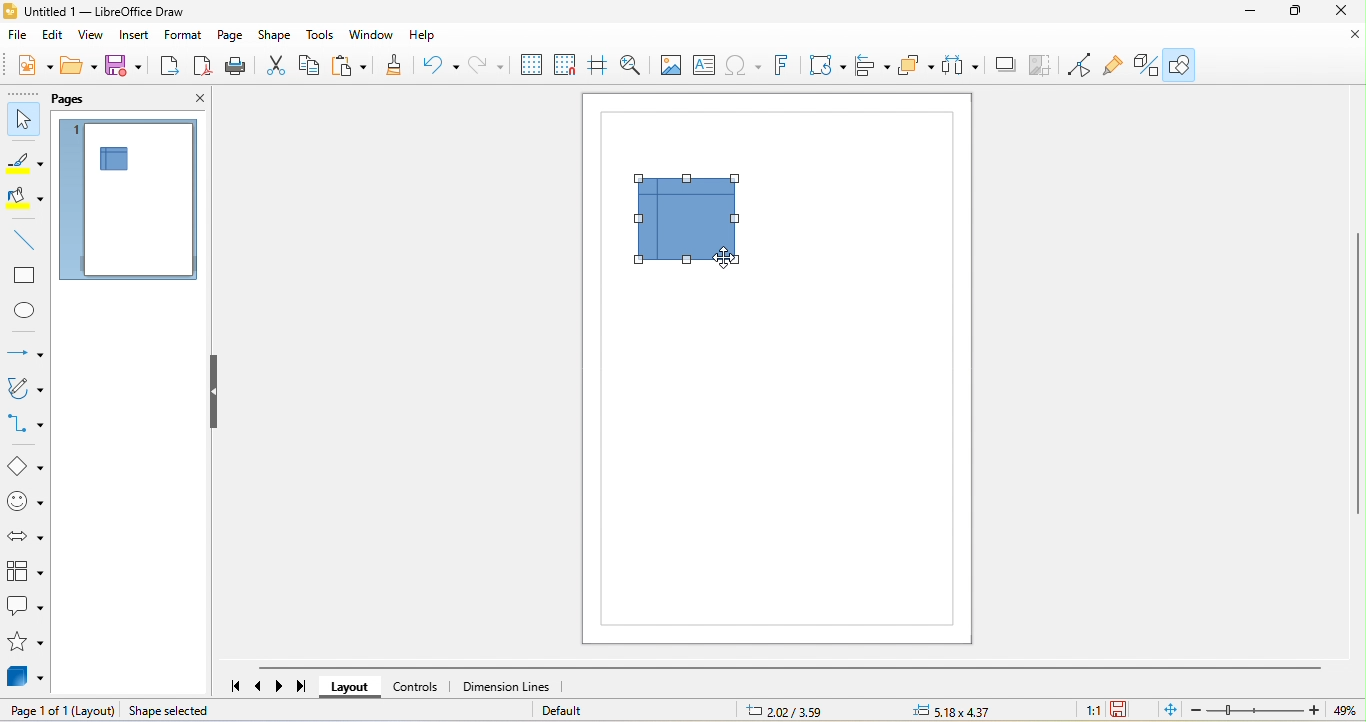  What do you see at coordinates (276, 68) in the screenshot?
I see `cut` at bounding box center [276, 68].